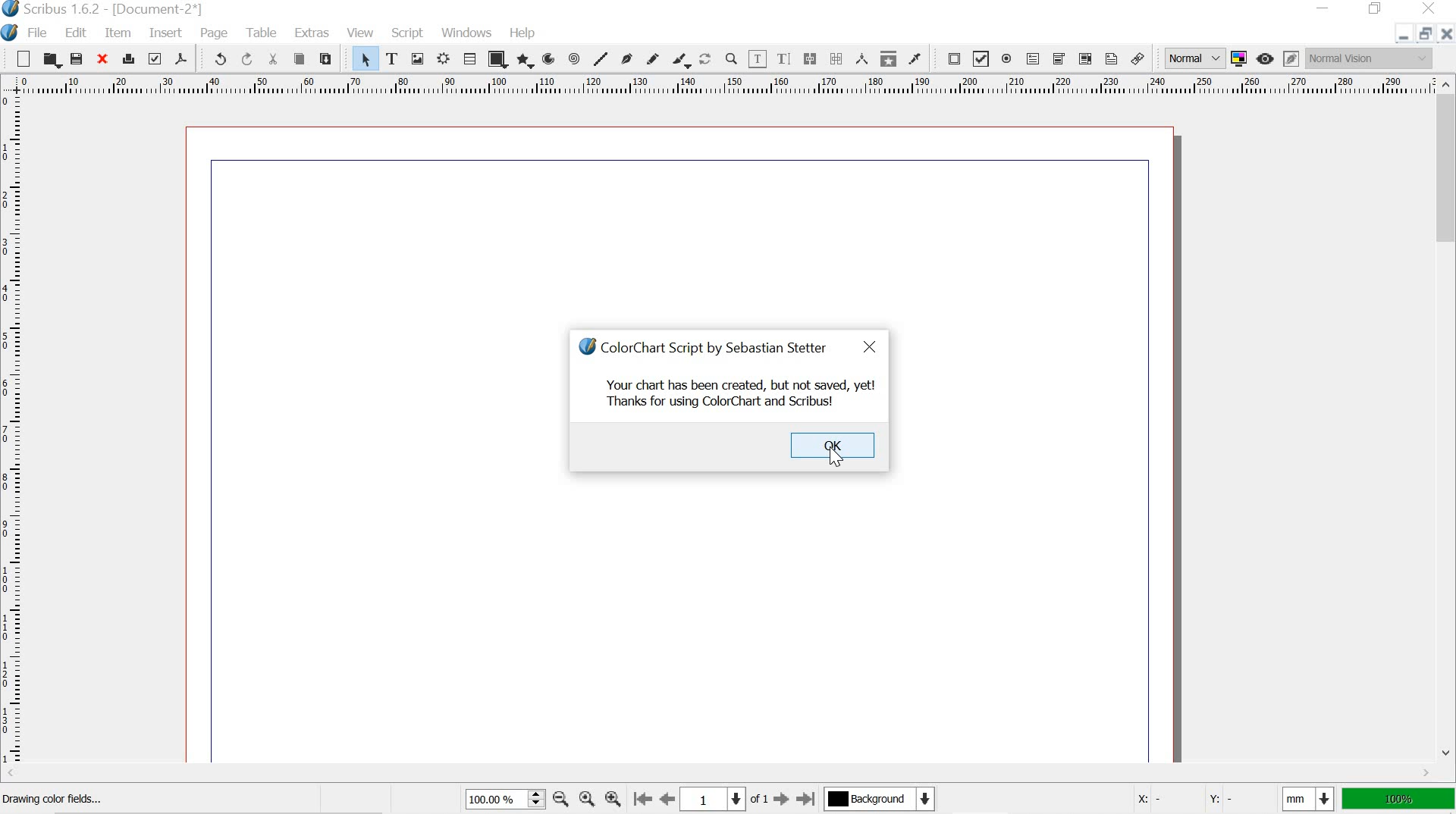 The width and height of the screenshot is (1456, 814). What do you see at coordinates (836, 58) in the screenshot?
I see `unlink text frames` at bounding box center [836, 58].